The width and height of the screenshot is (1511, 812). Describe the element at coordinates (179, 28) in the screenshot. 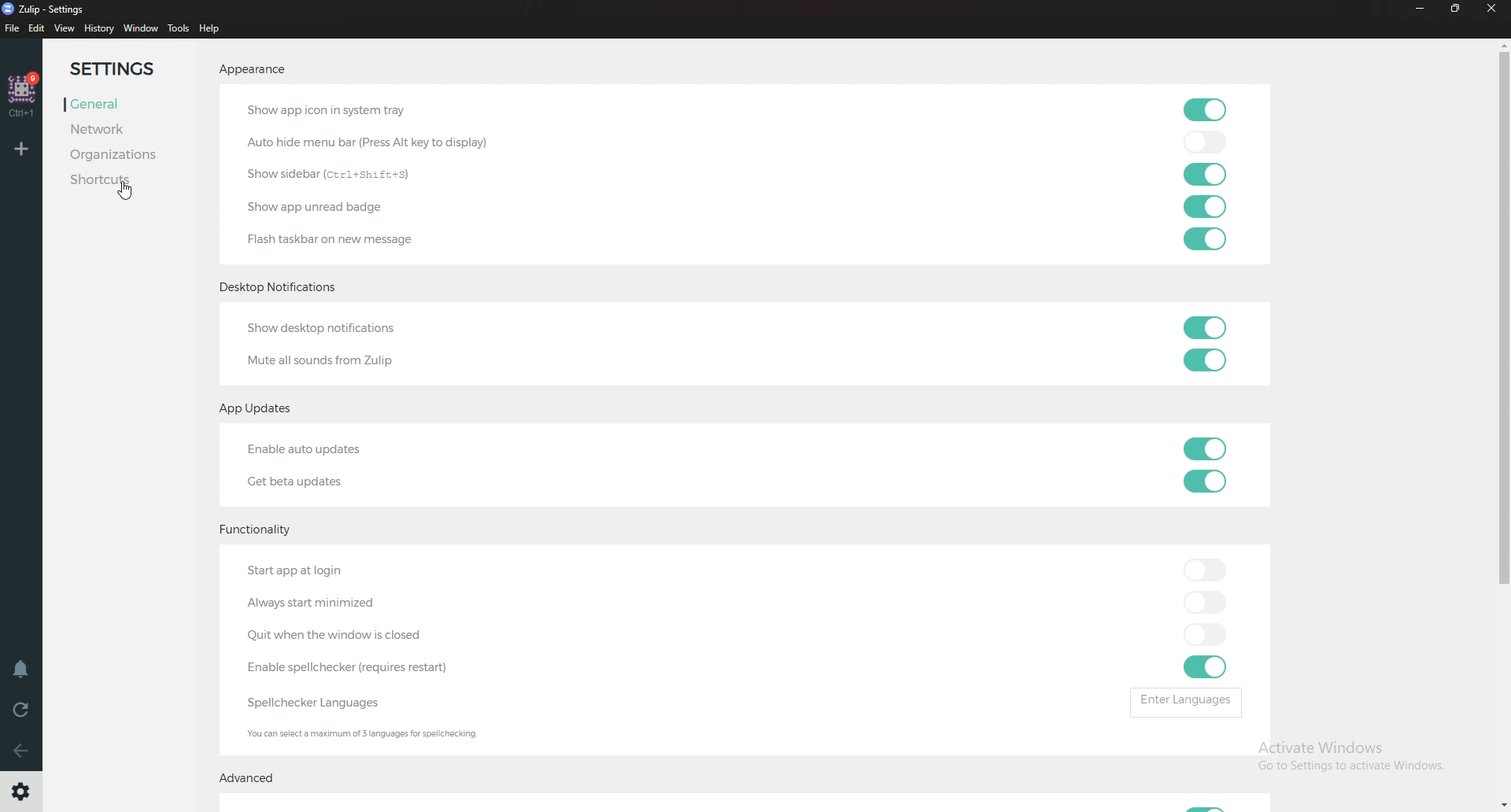

I see `tools` at that location.